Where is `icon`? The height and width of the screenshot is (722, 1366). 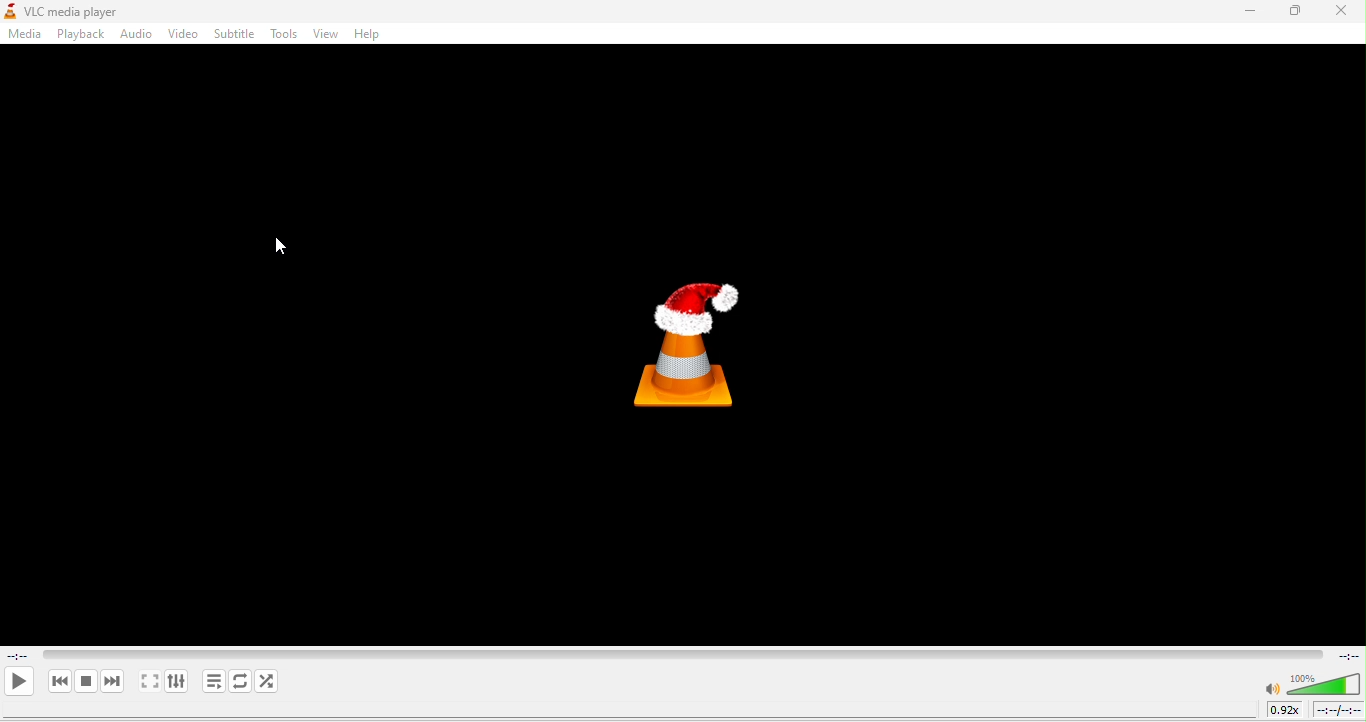 icon is located at coordinates (10, 11).